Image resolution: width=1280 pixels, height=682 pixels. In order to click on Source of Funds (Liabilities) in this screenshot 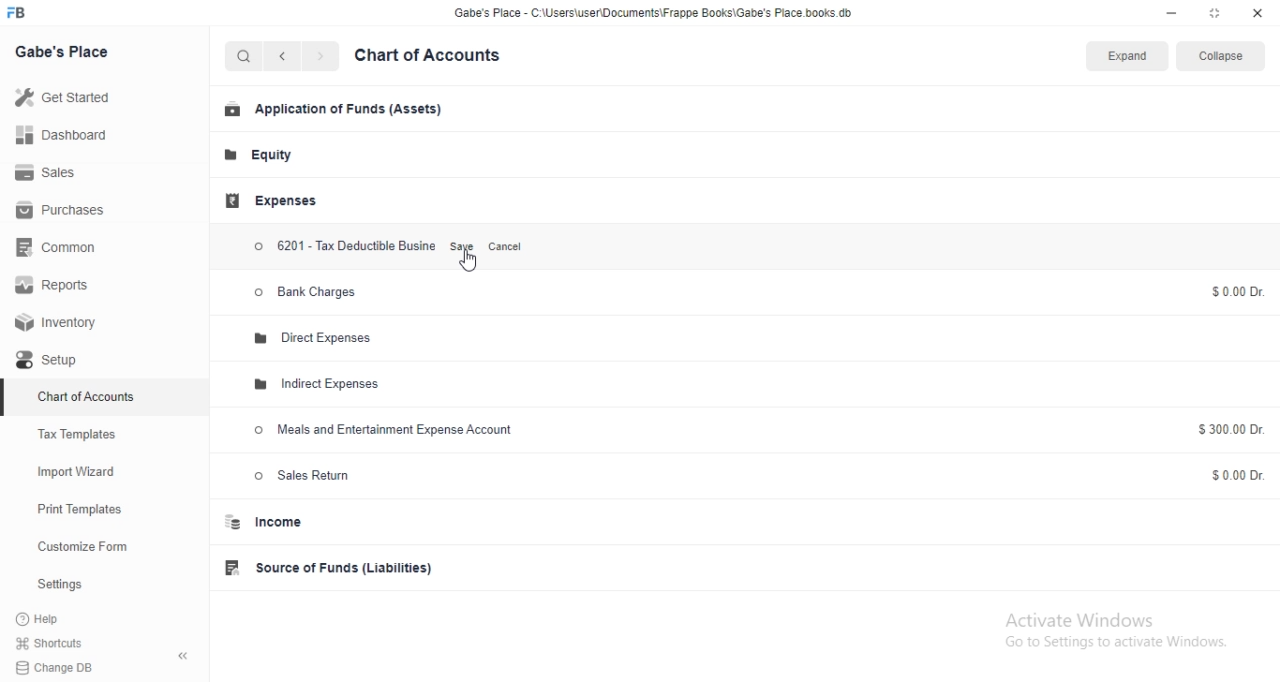, I will do `click(334, 568)`.